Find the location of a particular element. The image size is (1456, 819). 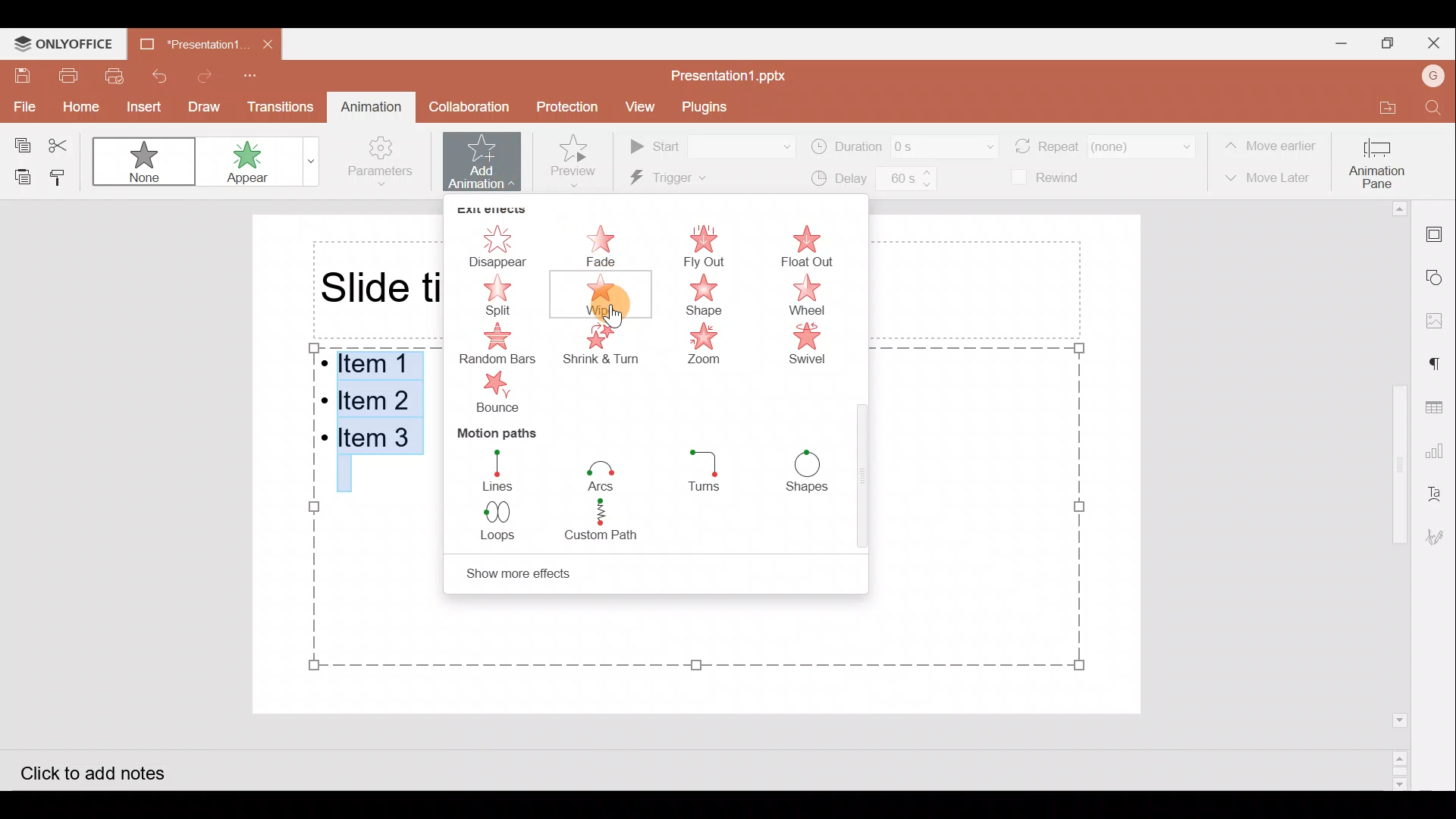

Trigger is located at coordinates (698, 179).